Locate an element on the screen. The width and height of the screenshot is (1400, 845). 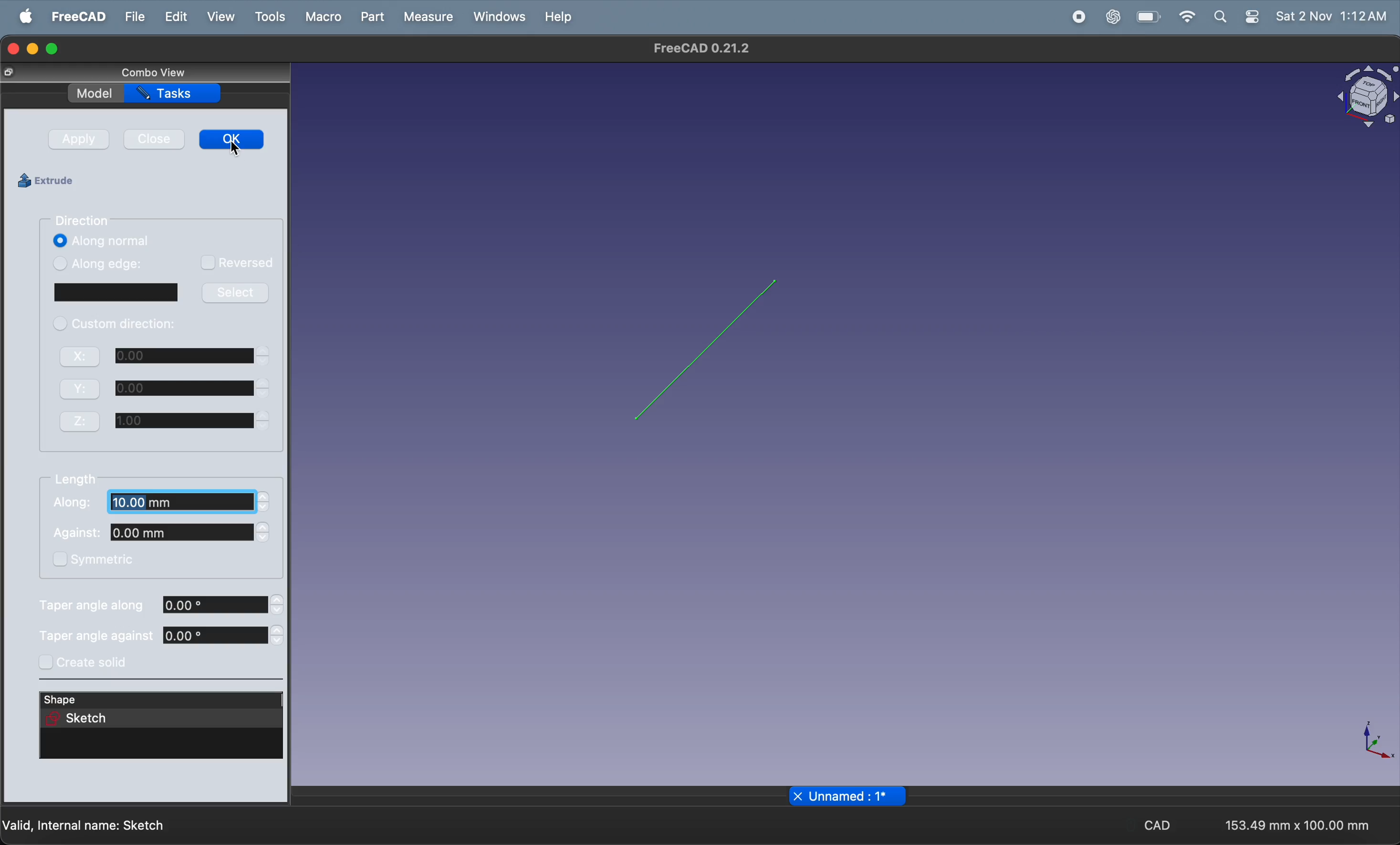
file is located at coordinates (135, 18).